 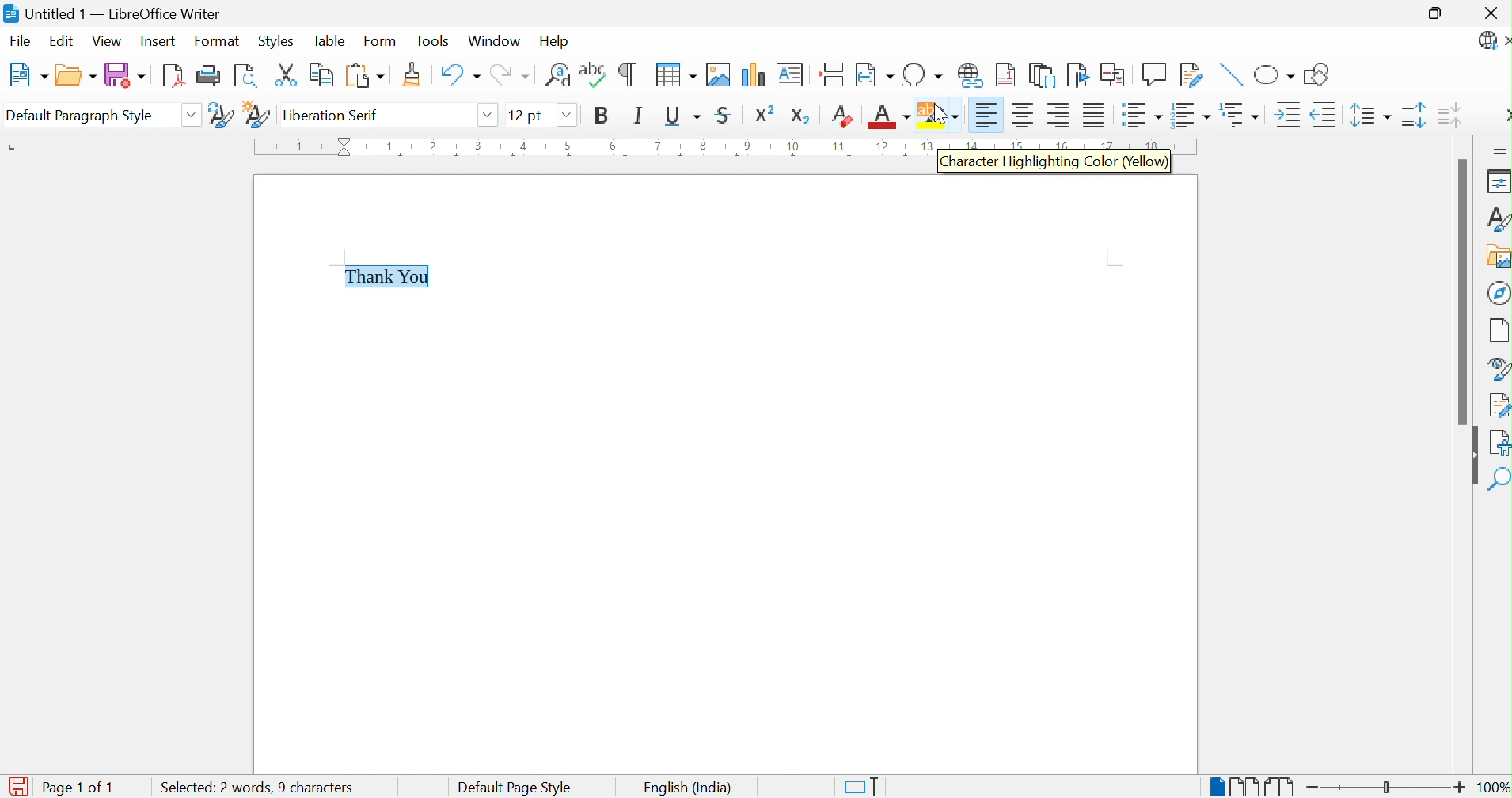 What do you see at coordinates (942, 118) in the screenshot?
I see `Cursor` at bounding box center [942, 118].